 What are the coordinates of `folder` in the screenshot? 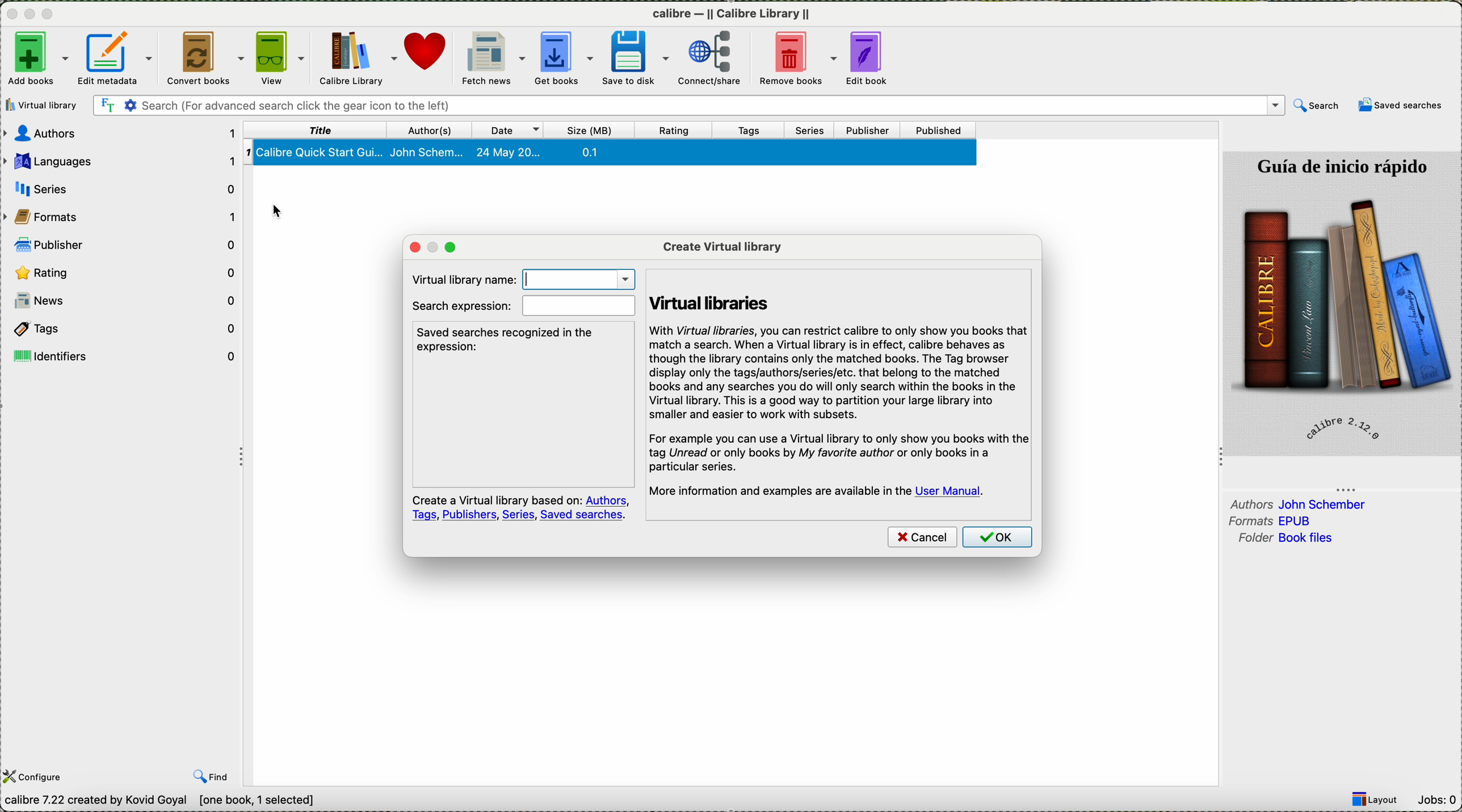 It's located at (1283, 538).